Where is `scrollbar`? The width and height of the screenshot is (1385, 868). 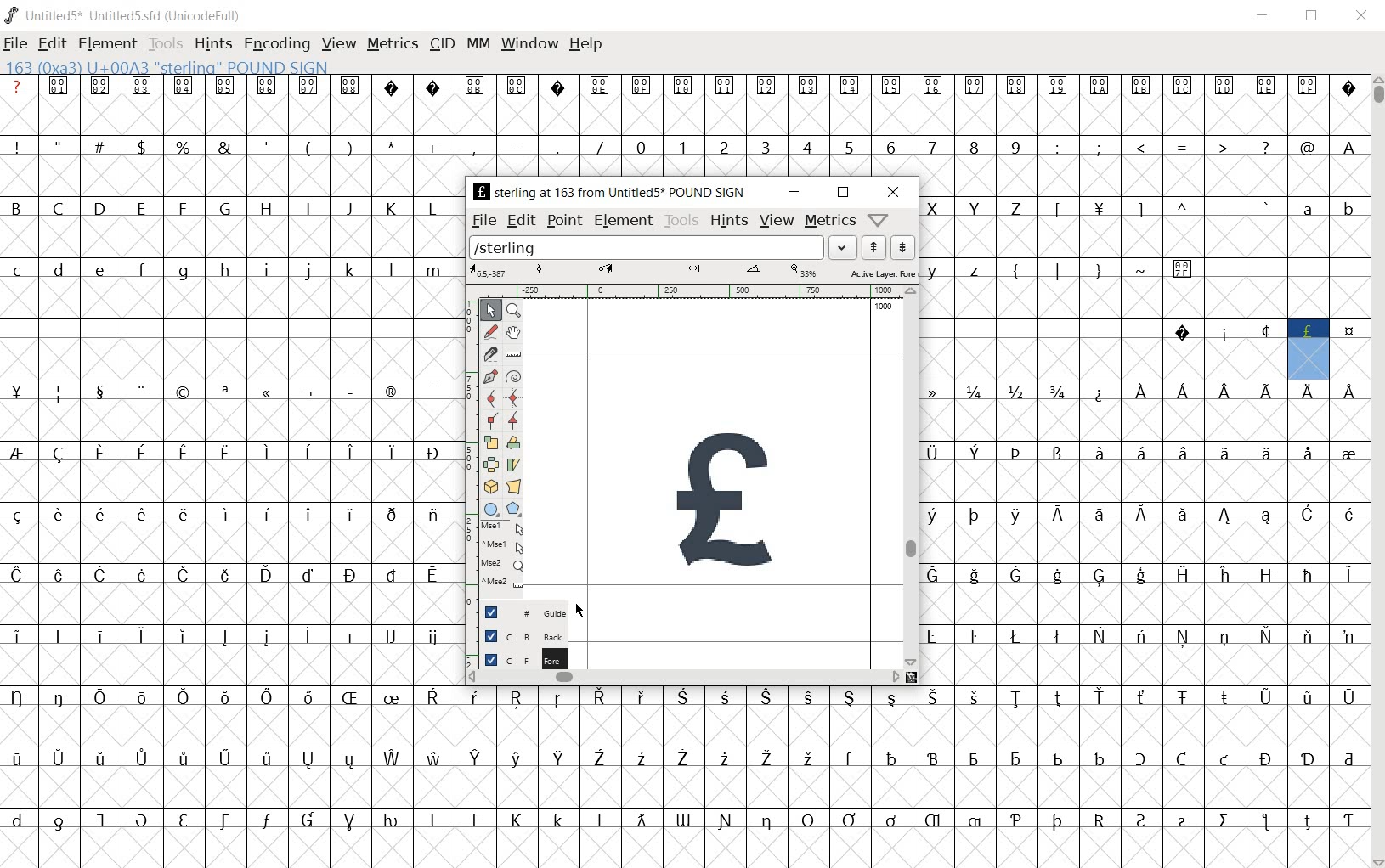
scrollbar is located at coordinates (911, 476).